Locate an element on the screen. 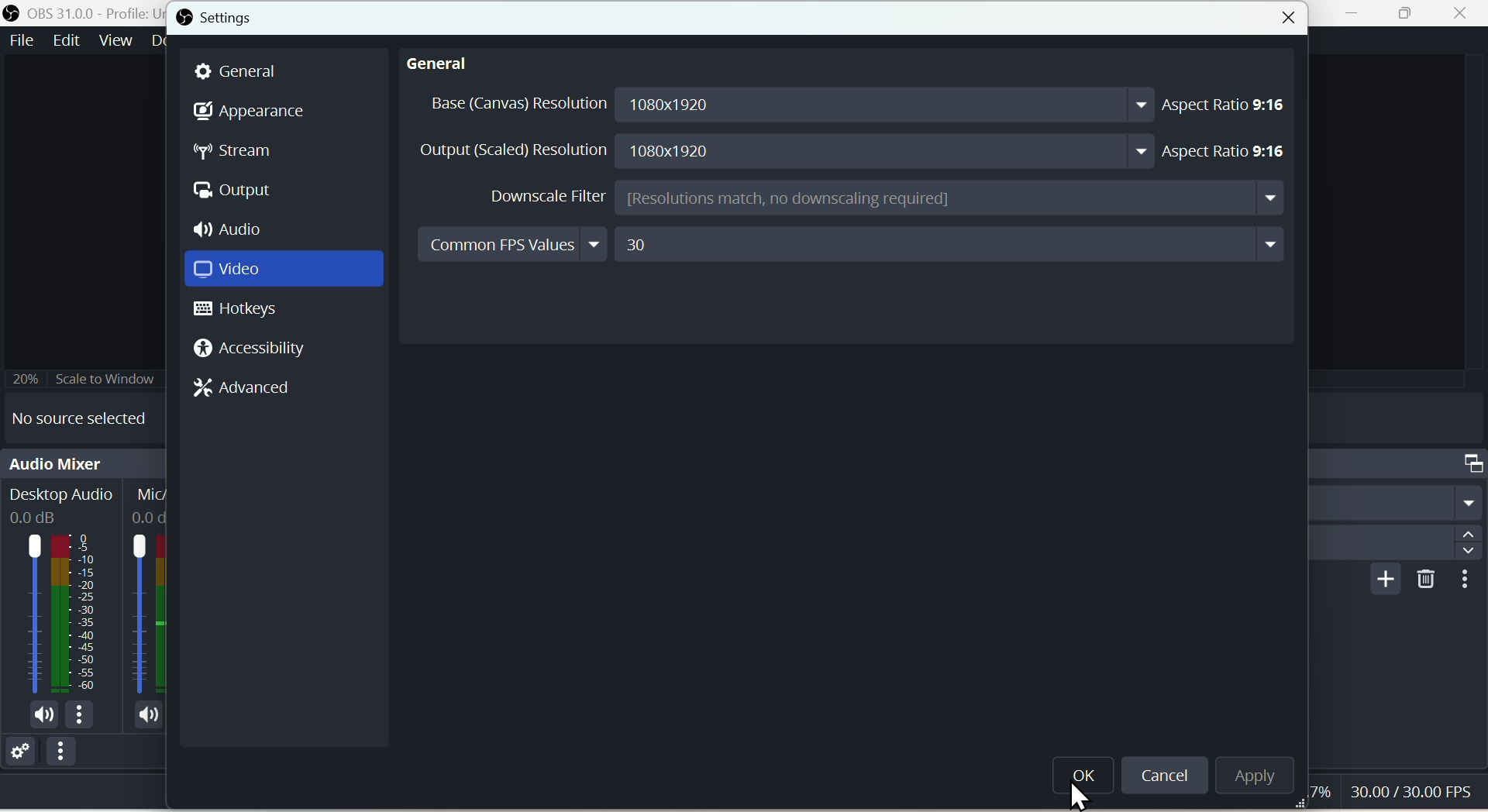 The height and width of the screenshot is (812, 1488). Accessibility is located at coordinates (249, 348).